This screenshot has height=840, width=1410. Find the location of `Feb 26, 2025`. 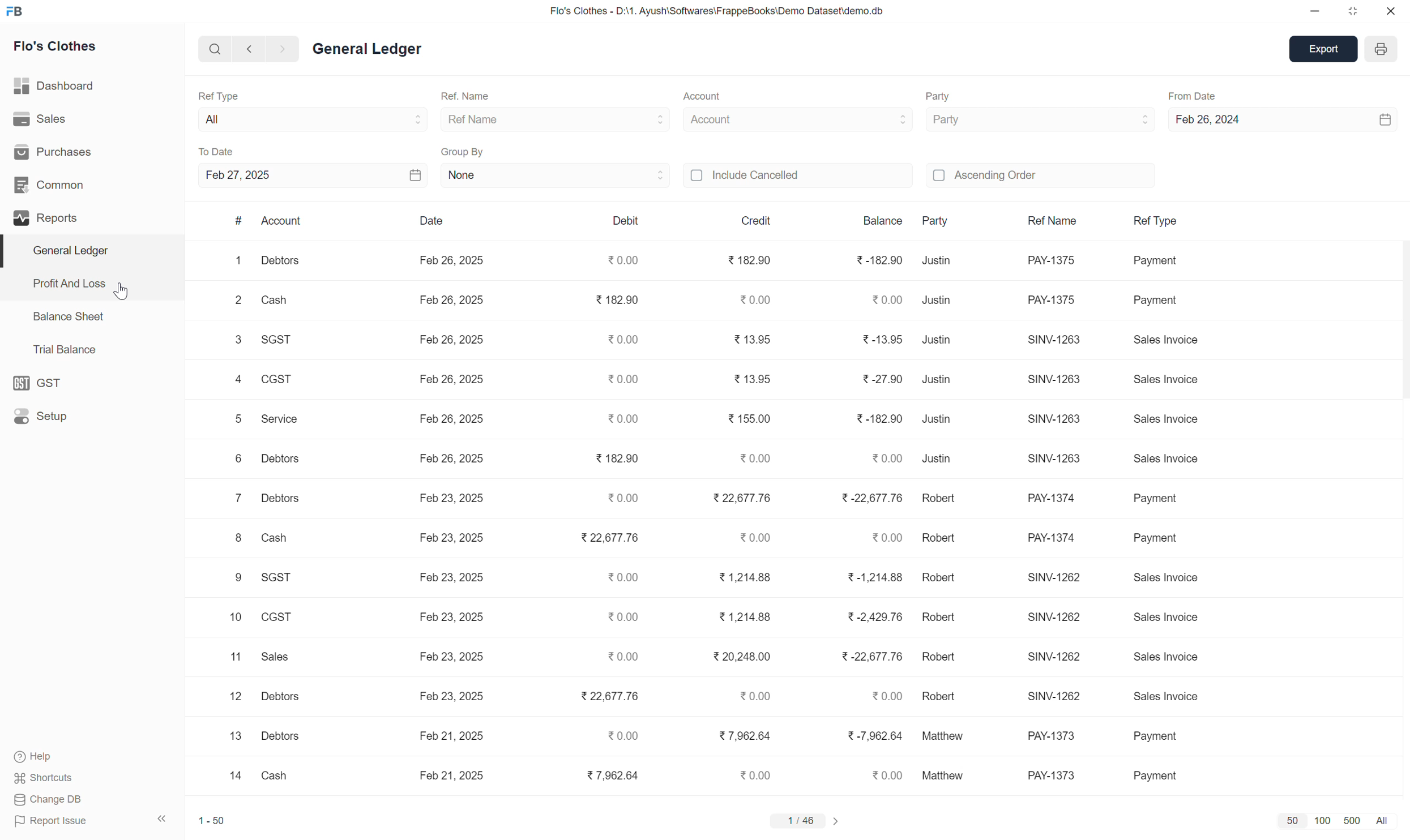

Feb 26, 2025 is located at coordinates (445, 263).